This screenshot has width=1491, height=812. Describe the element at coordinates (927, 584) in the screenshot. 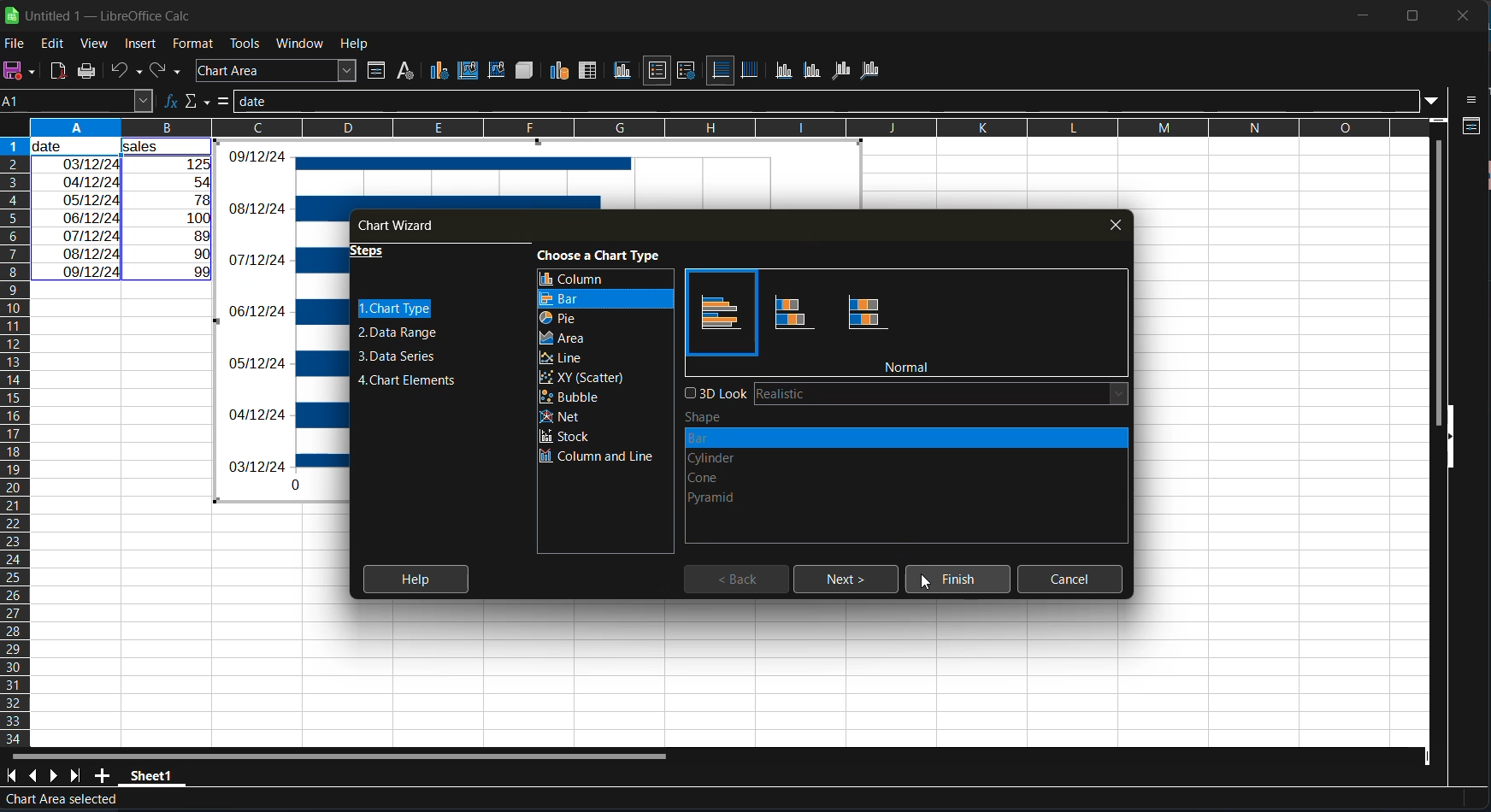

I see `cursor` at that location.